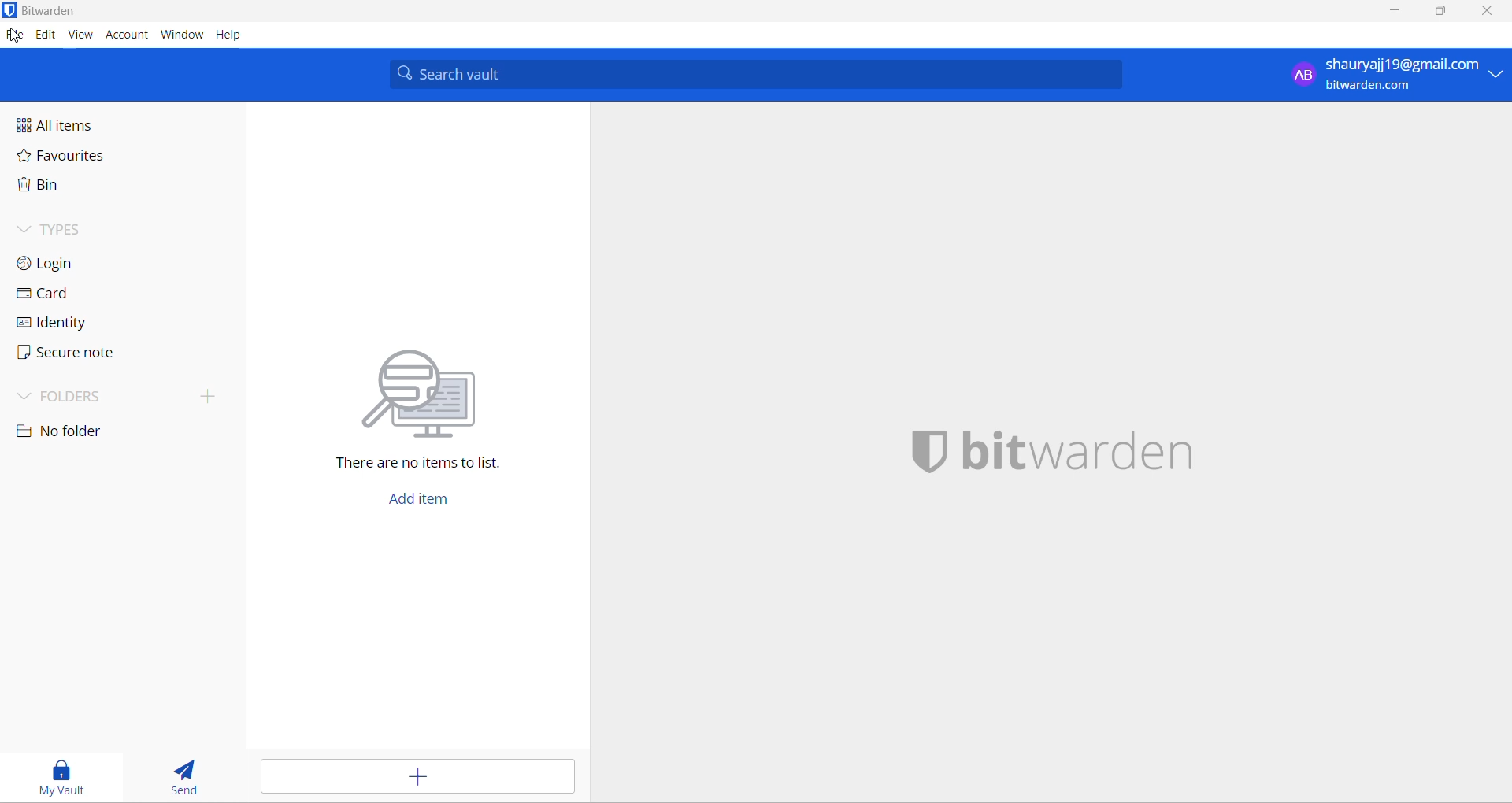 Image resolution: width=1512 pixels, height=803 pixels. I want to click on file, so click(13, 37).